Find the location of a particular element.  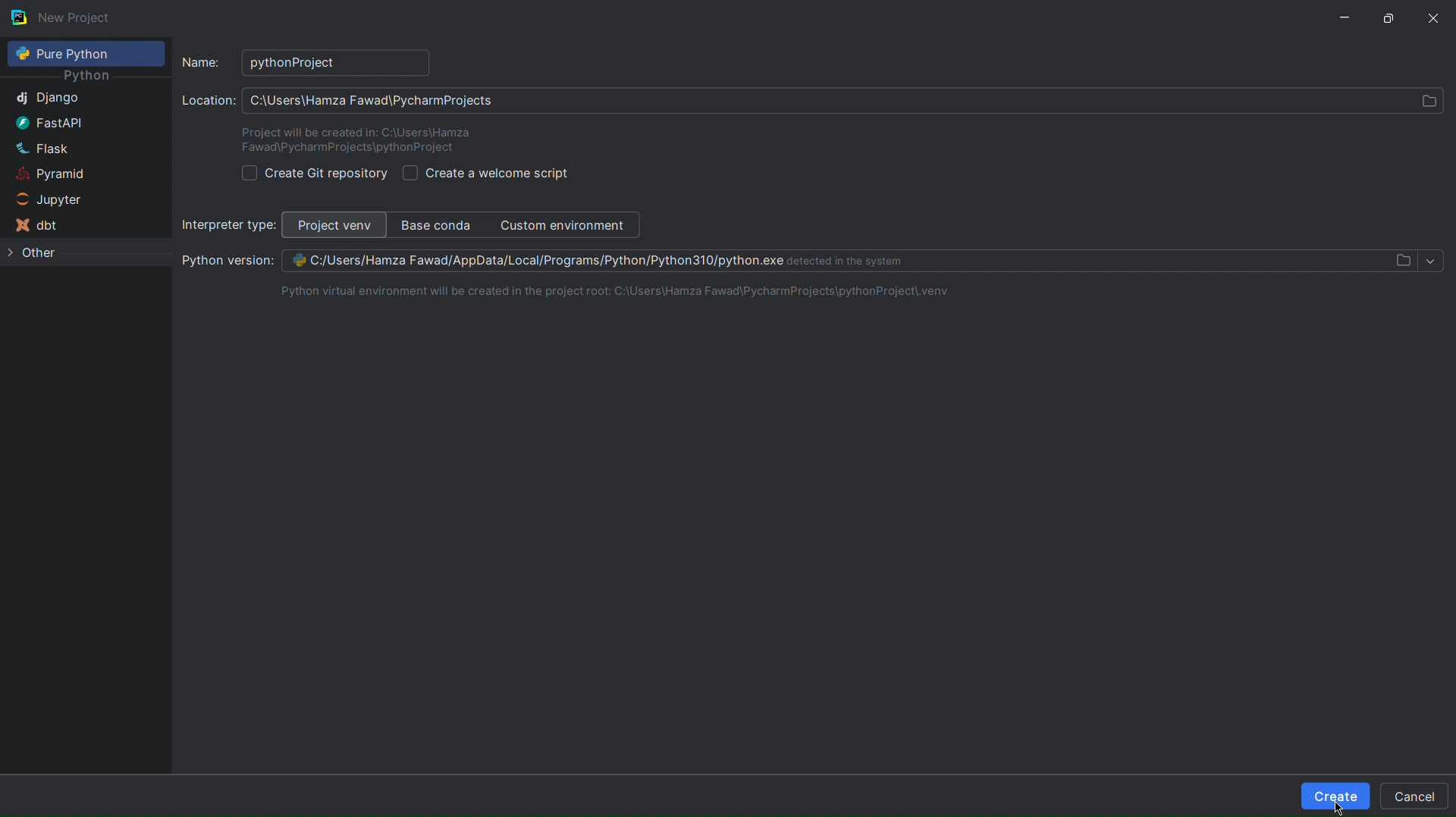

C:/Users/Hamza Fawad/AppData/Local/Programs/Python/Python310/python.exe detected in the system is located at coordinates (626, 260).